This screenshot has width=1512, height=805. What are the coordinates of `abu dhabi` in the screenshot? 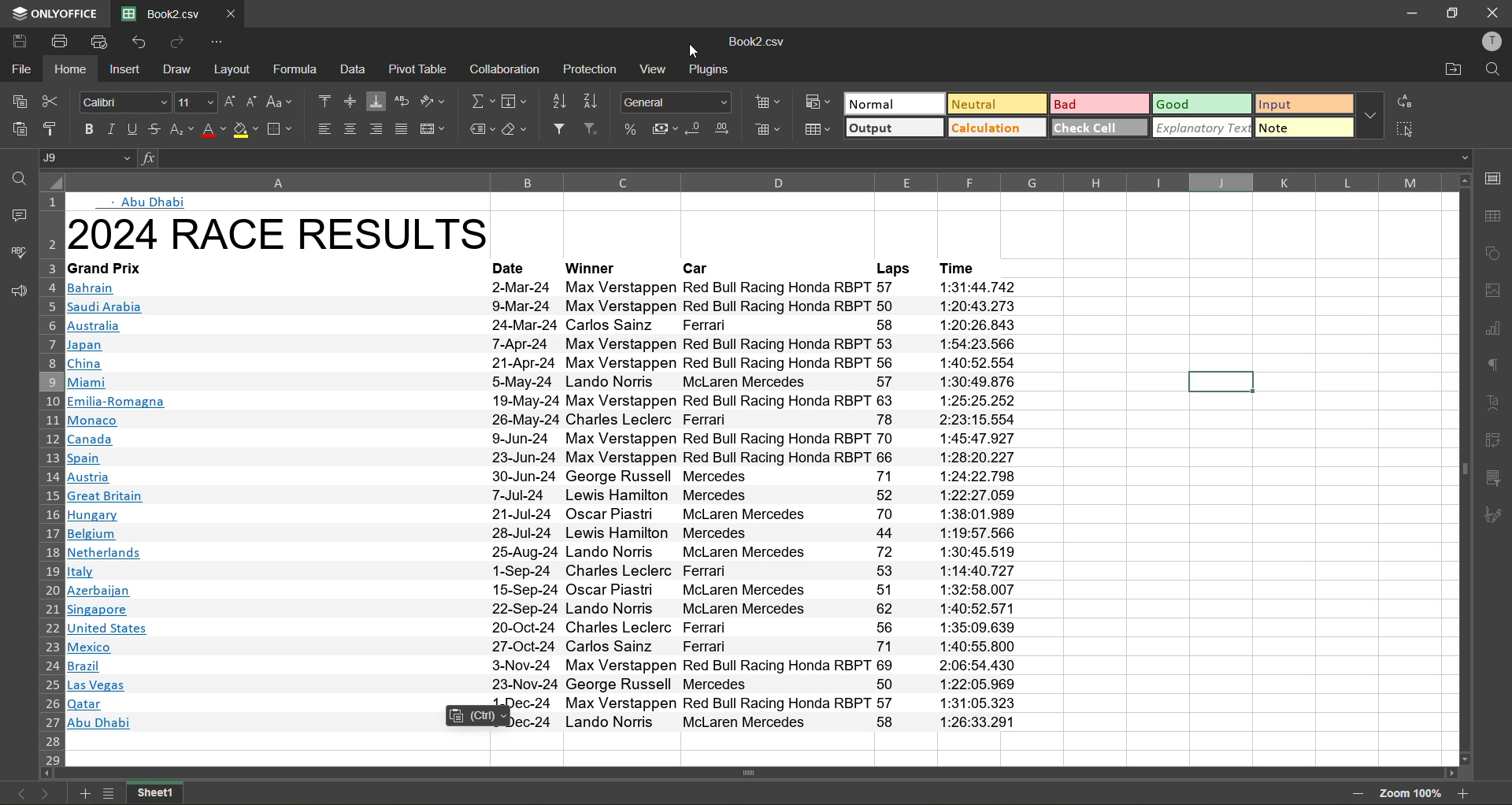 It's located at (154, 203).